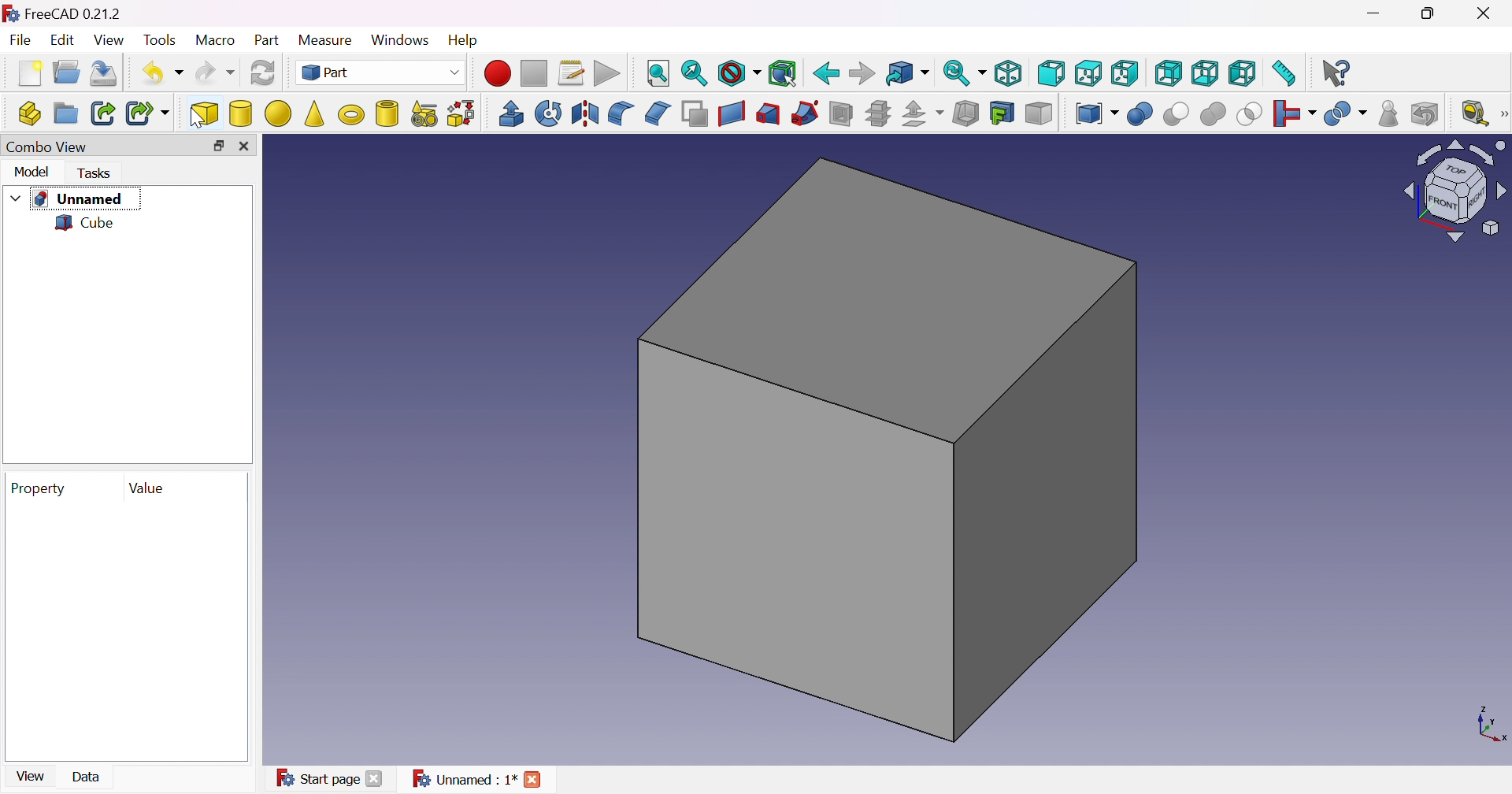  Describe the element at coordinates (21, 41) in the screenshot. I see `File` at that location.